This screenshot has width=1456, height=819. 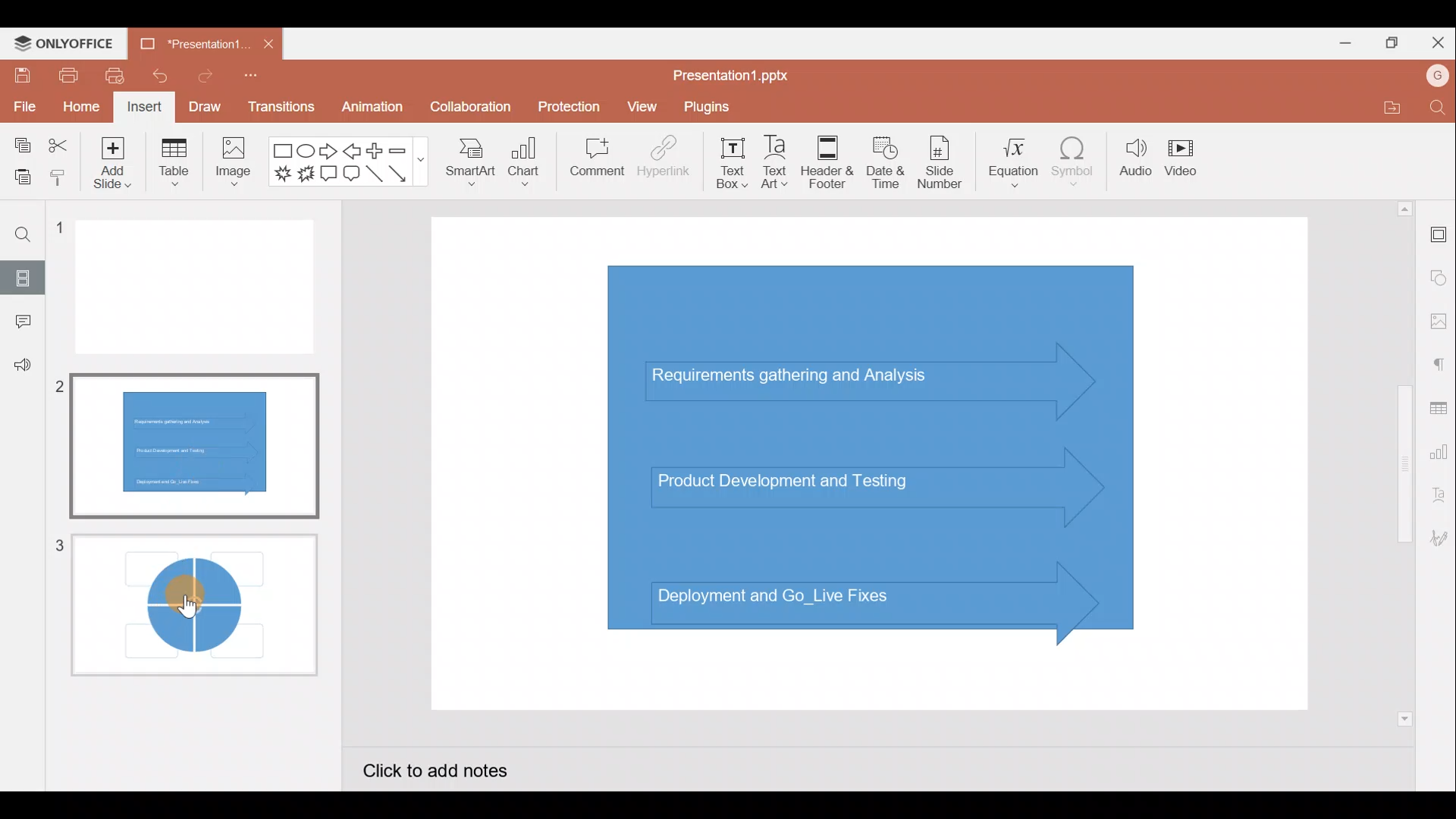 What do you see at coordinates (63, 76) in the screenshot?
I see `Print file` at bounding box center [63, 76].